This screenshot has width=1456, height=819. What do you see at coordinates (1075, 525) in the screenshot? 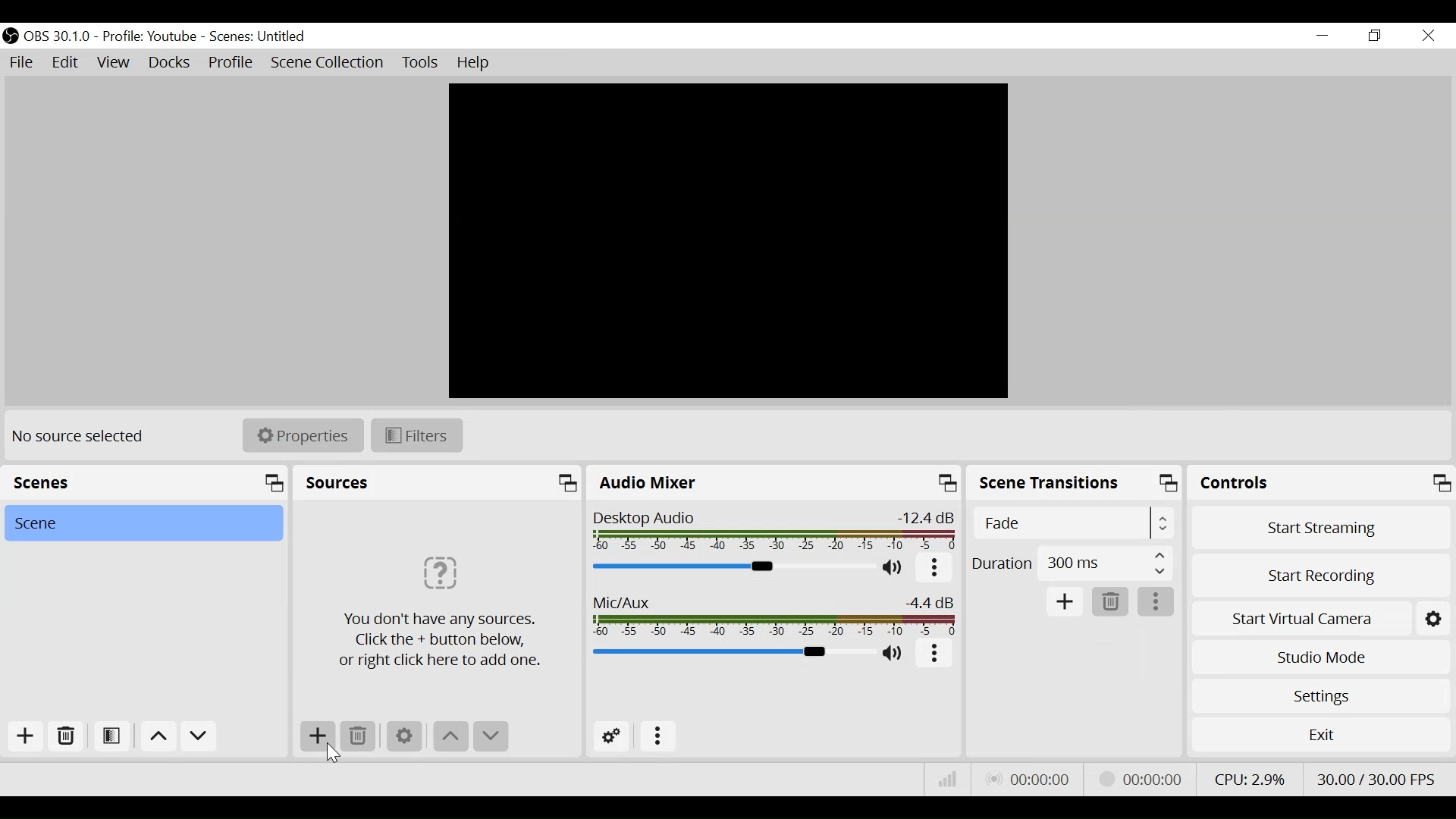
I see `Select Scene Transition` at bounding box center [1075, 525].